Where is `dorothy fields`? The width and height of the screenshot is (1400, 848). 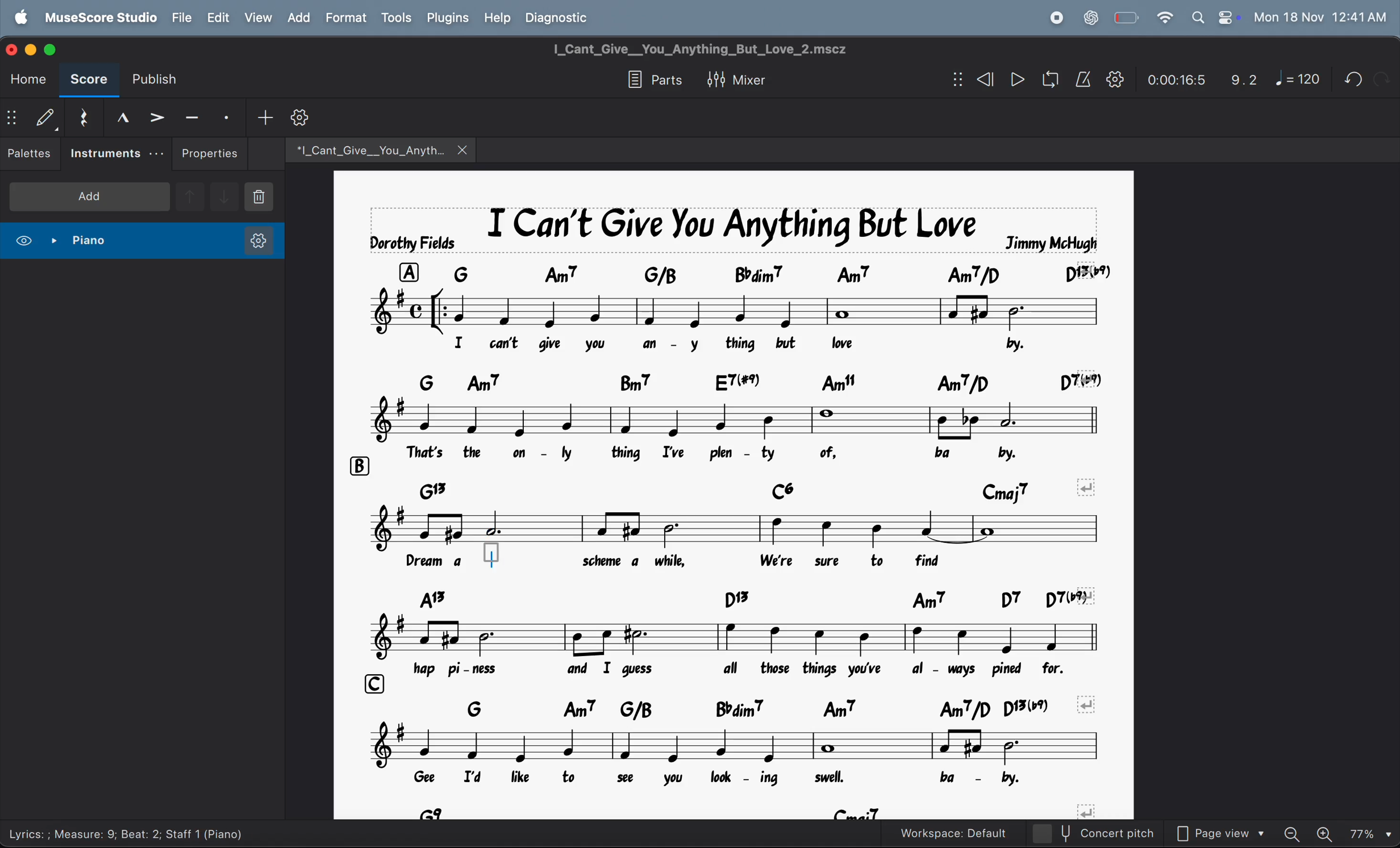 dorothy fields is located at coordinates (412, 244).